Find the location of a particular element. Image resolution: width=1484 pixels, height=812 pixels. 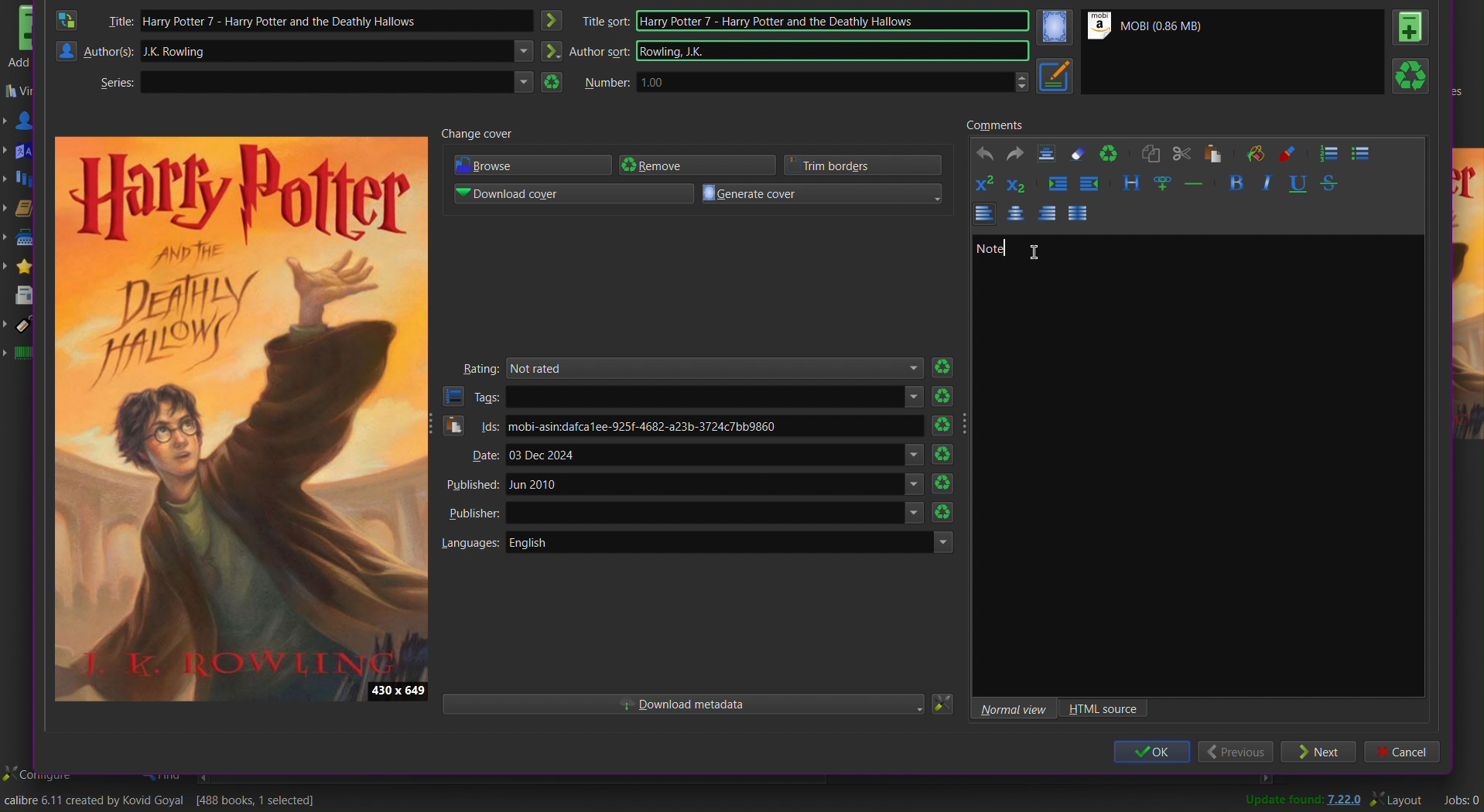

03 Dec 2024 is located at coordinates (718, 457).